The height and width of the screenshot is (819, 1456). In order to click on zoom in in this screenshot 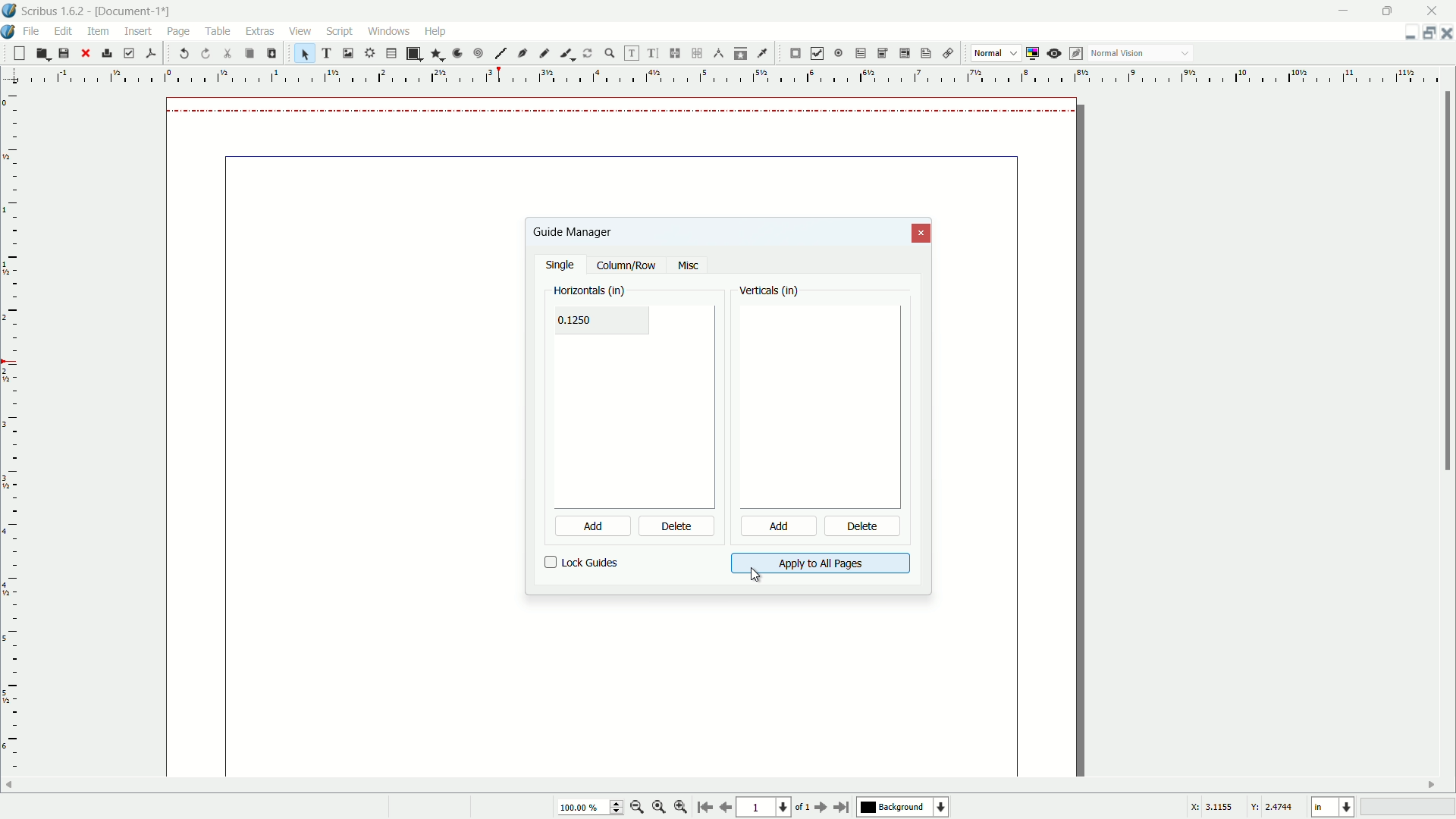, I will do `click(681, 808)`.